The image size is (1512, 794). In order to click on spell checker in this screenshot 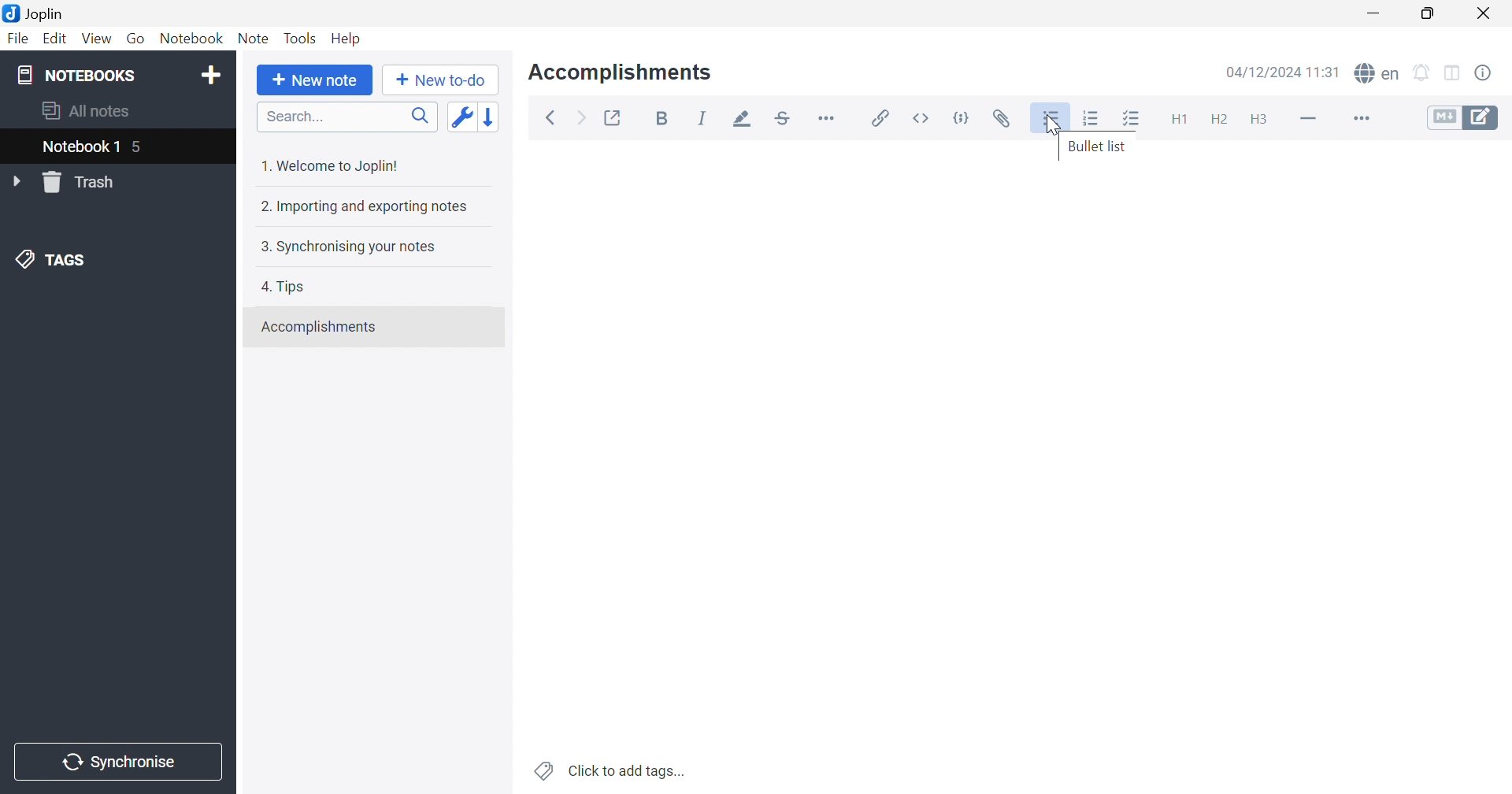, I will do `click(1377, 74)`.